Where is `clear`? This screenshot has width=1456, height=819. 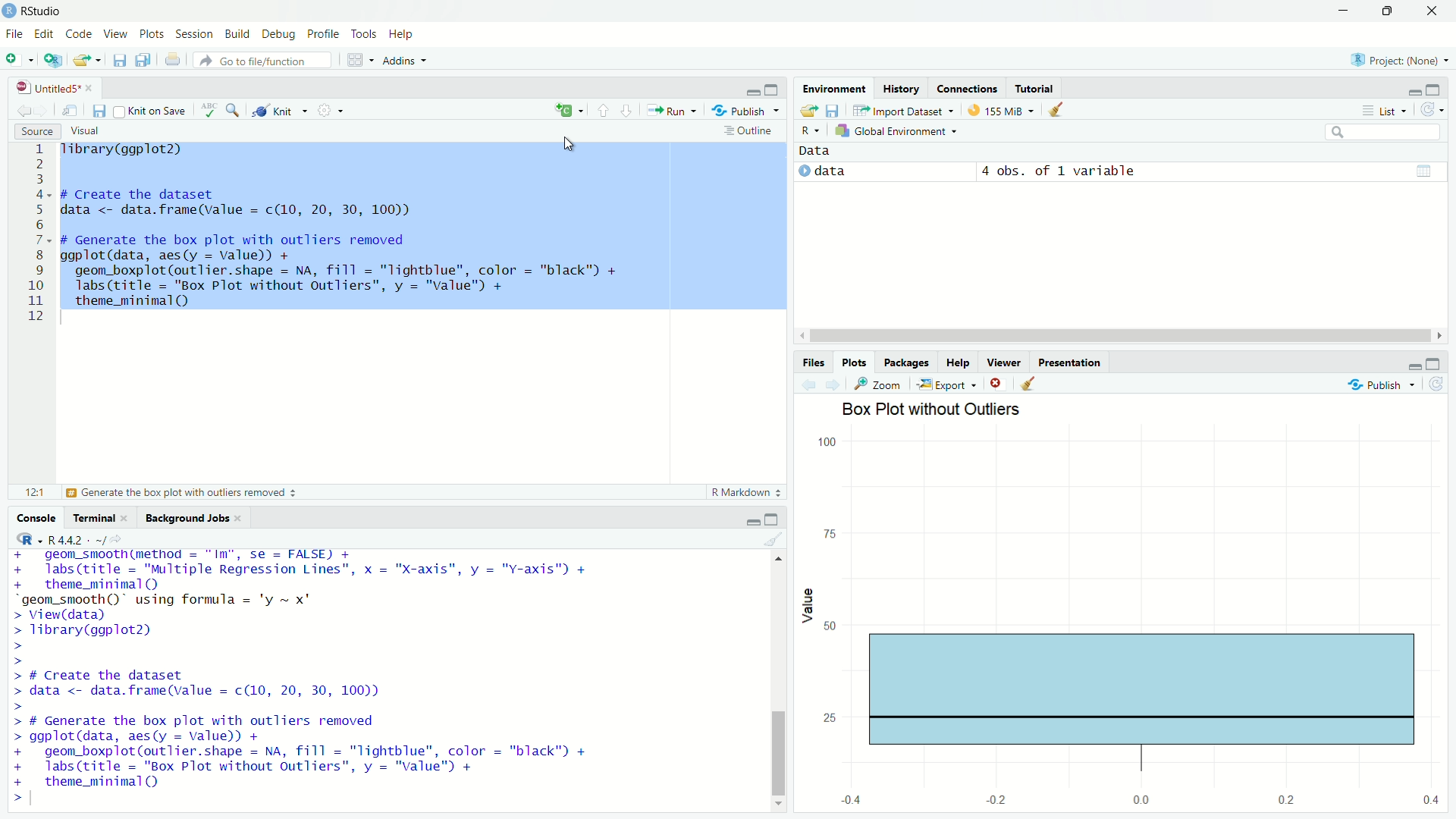
clear is located at coordinates (1023, 382).